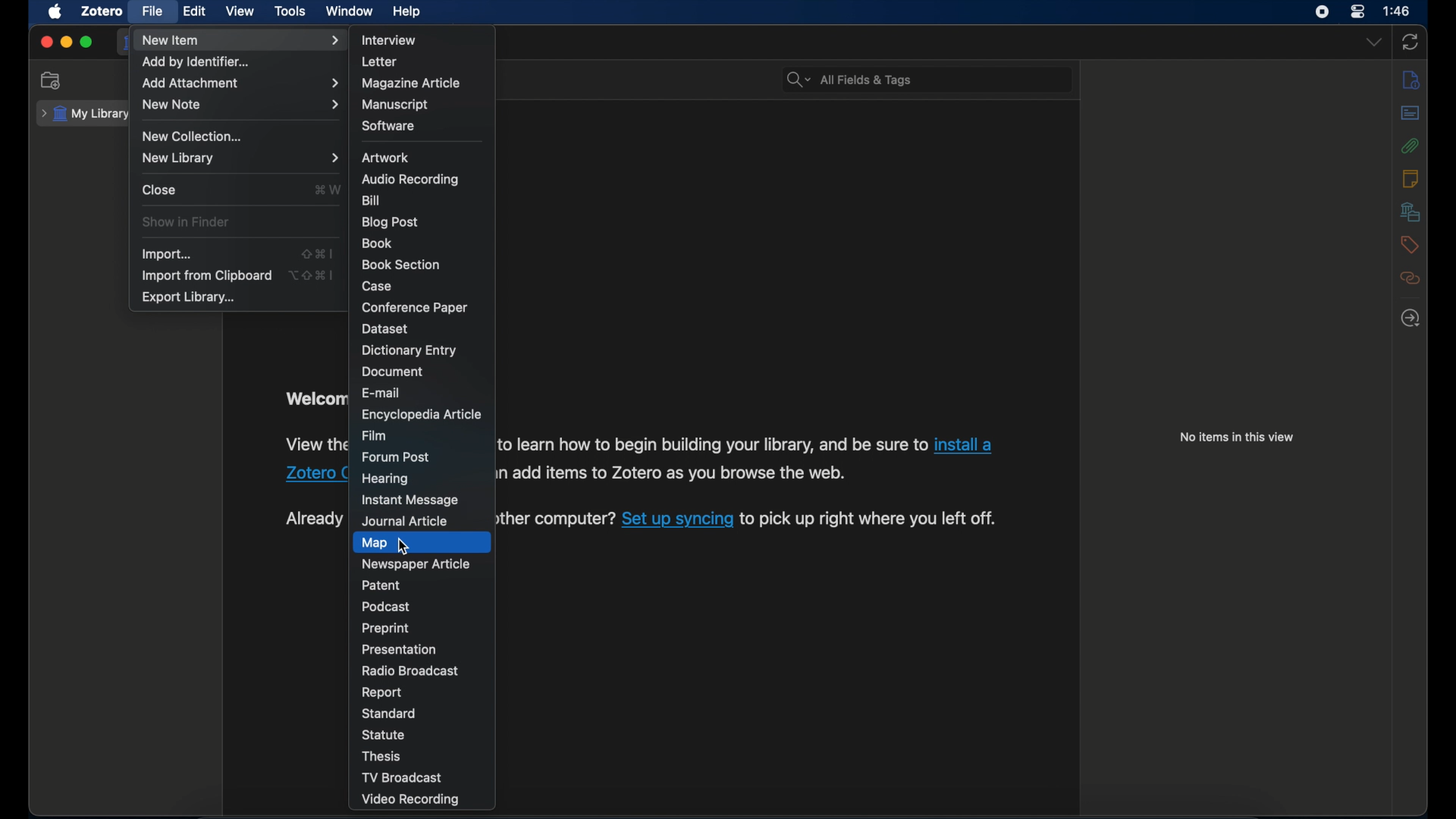 This screenshot has height=819, width=1456. Describe the element at coordinates (395, 105) in the screenshot. I see `manuscript` at that location.